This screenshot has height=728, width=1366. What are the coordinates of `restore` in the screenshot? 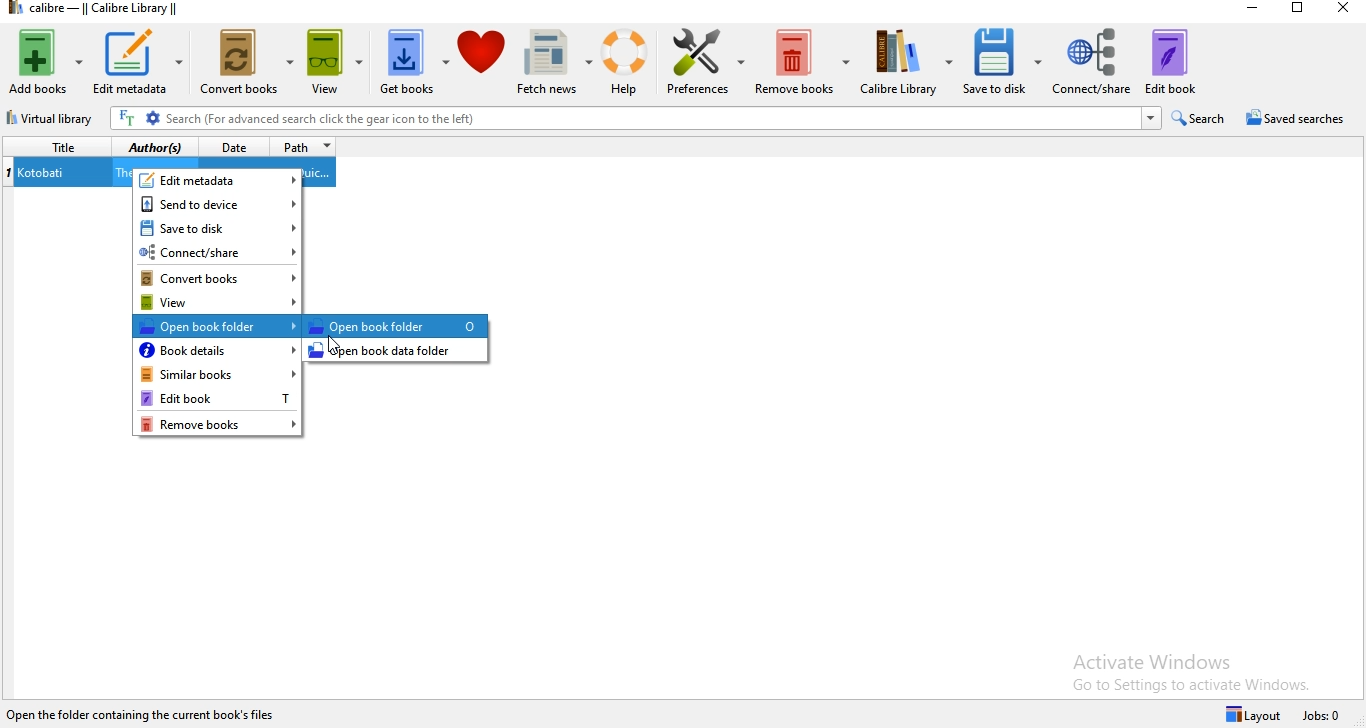 It's located at (1300, 11).